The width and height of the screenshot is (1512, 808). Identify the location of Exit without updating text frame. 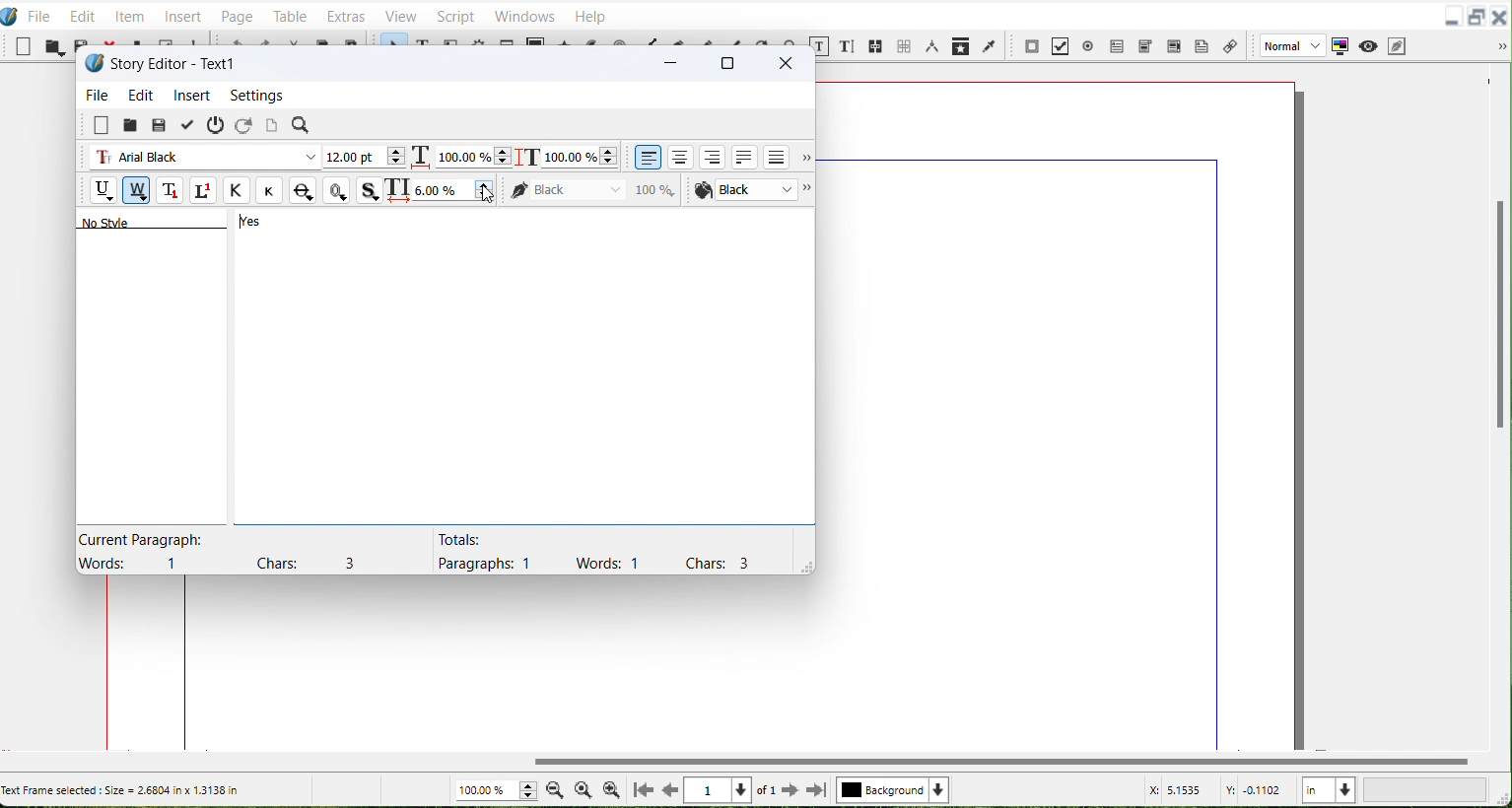
(216, 124).